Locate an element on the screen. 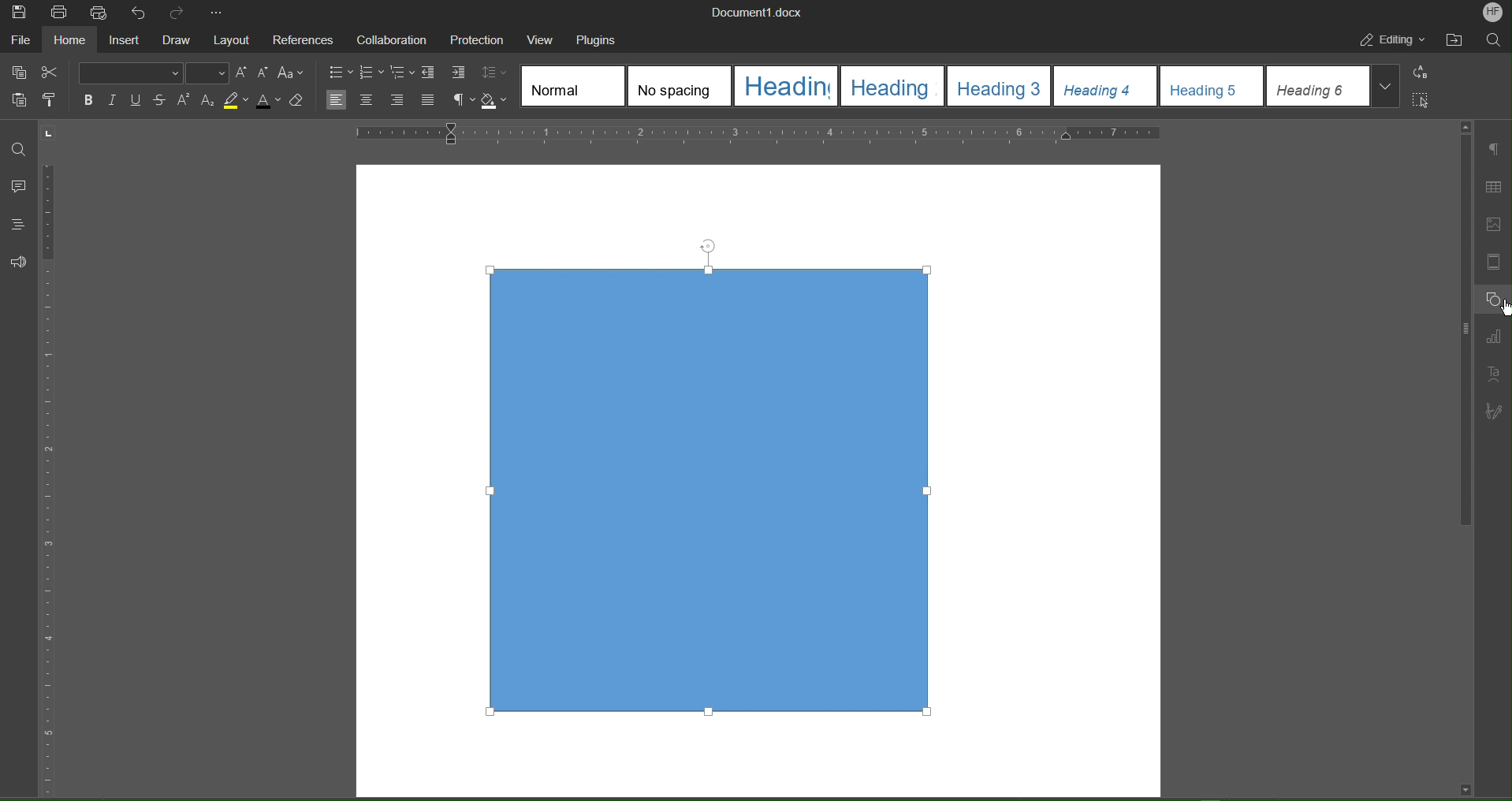 This screenshot has width=1512, height=801. Erase Style is located at coordinates (298, 102).